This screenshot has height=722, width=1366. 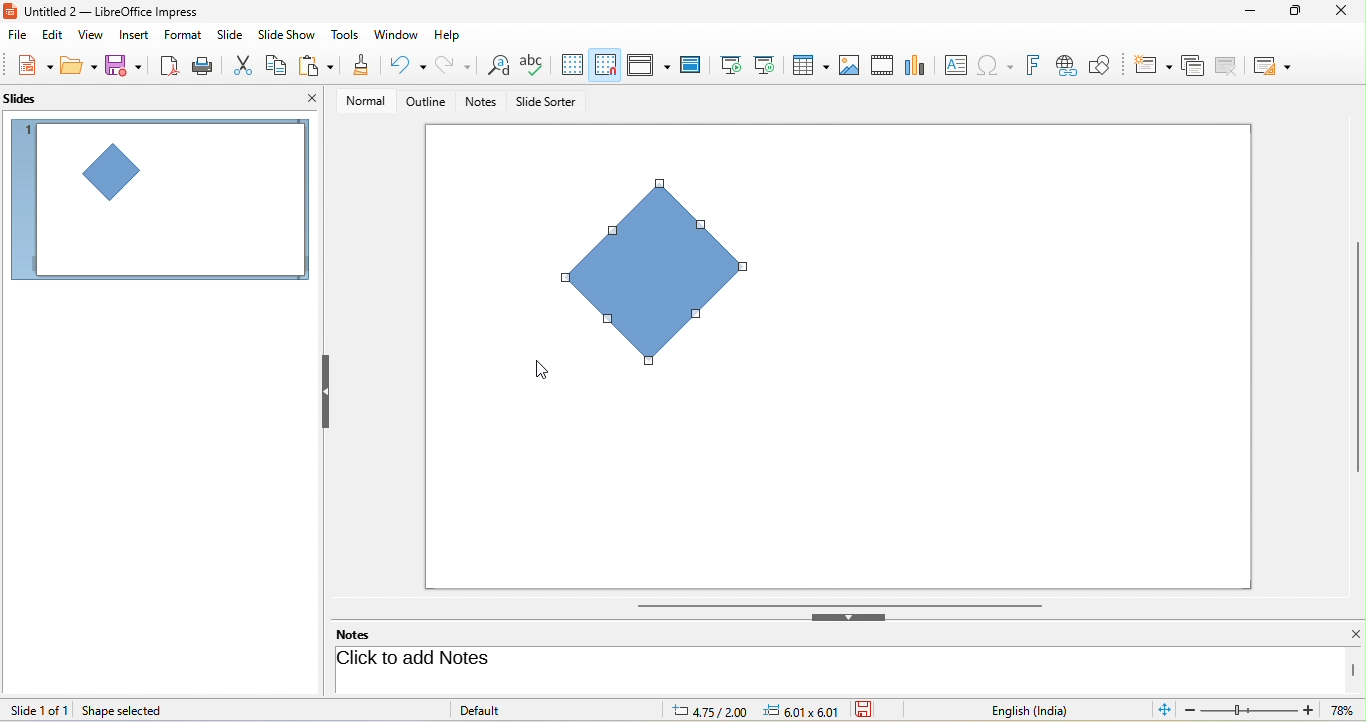 What do you see at coordinates (362, 67) in the screenshot?
I see `clone formatting` at bounding box center [362, 67].